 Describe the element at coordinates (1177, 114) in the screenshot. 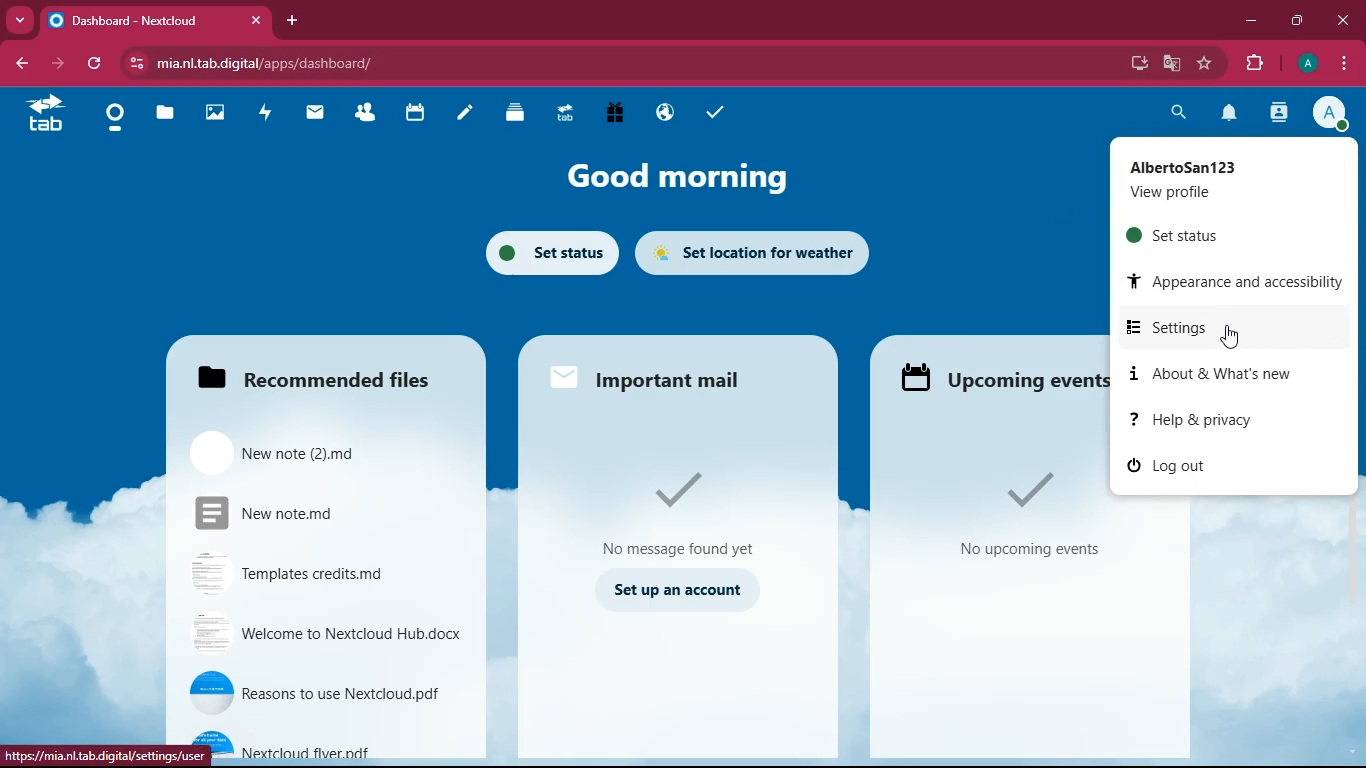

I see `search` at that location.